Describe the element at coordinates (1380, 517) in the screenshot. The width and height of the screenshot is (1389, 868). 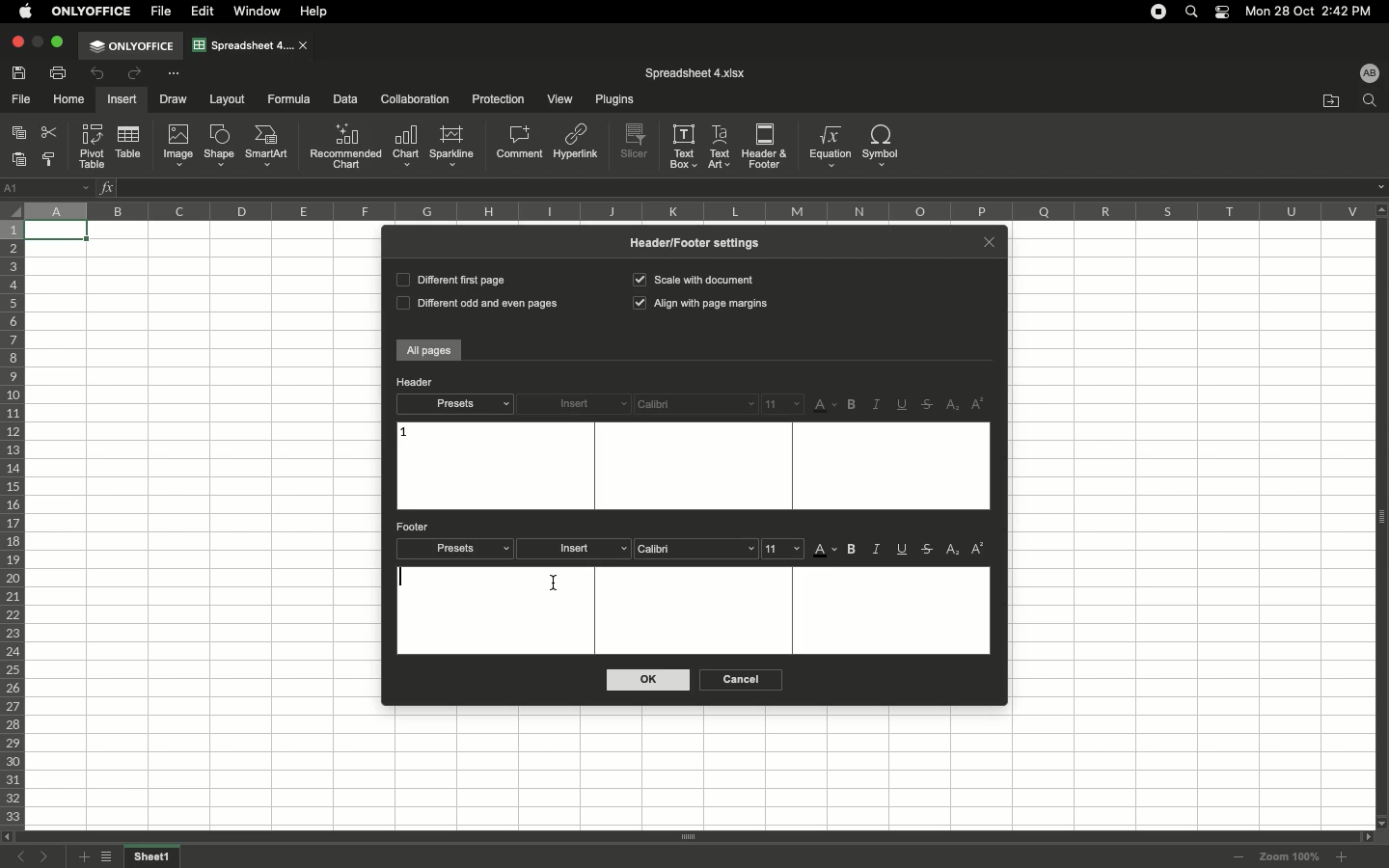
I see `Panel` at that location.